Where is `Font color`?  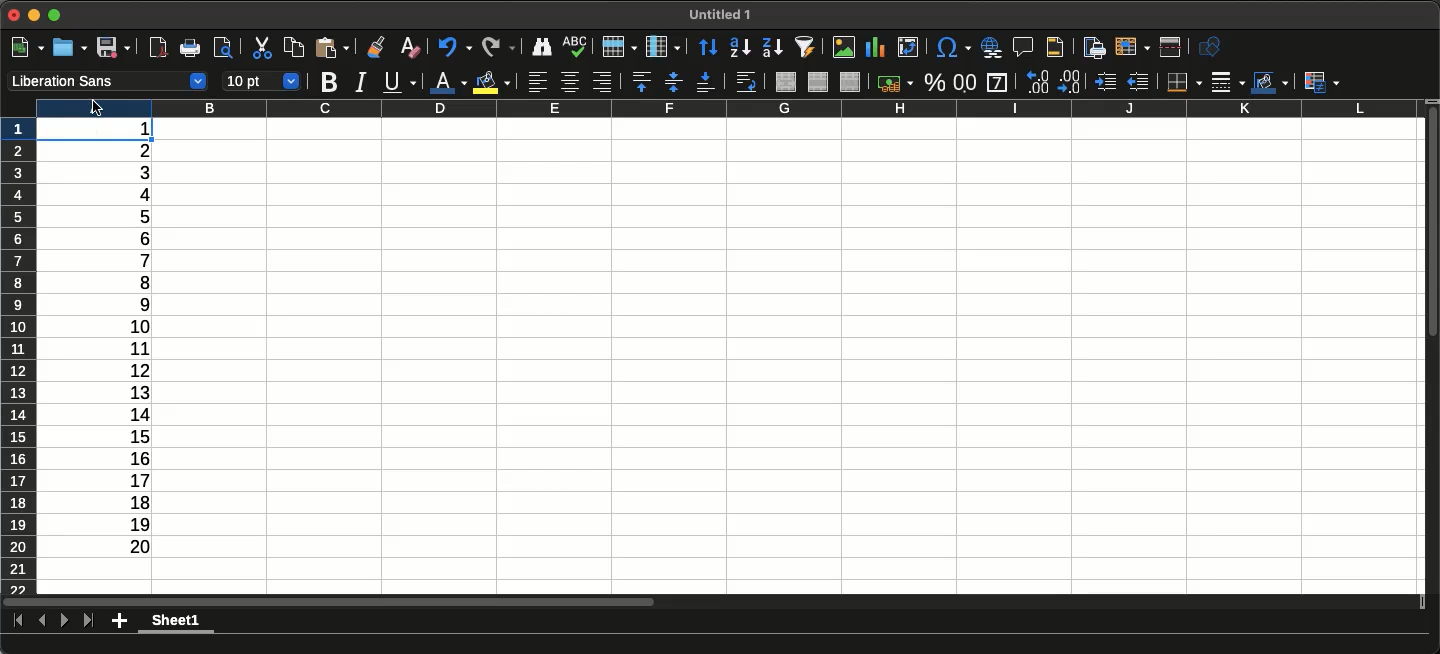 Font color is located at coordinates (447, 81).